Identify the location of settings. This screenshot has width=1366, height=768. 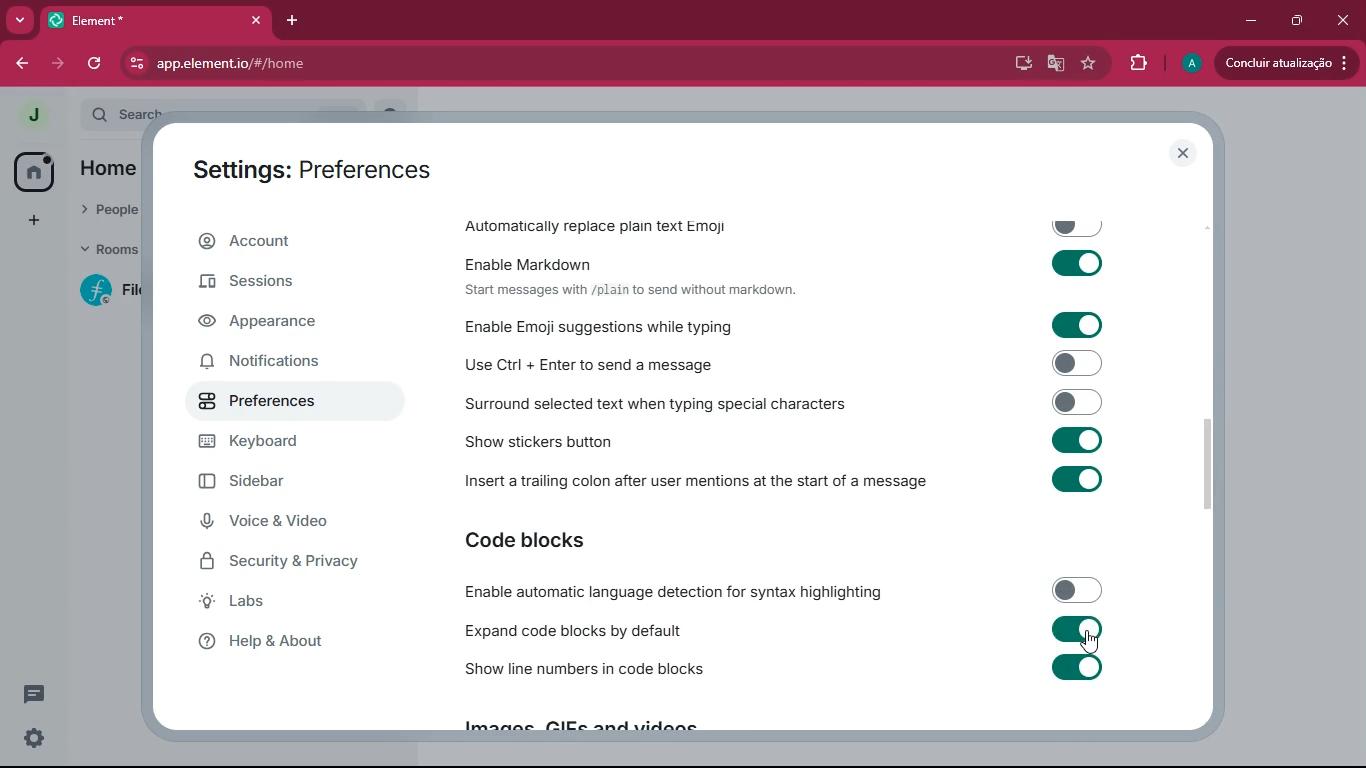
(35, 739).